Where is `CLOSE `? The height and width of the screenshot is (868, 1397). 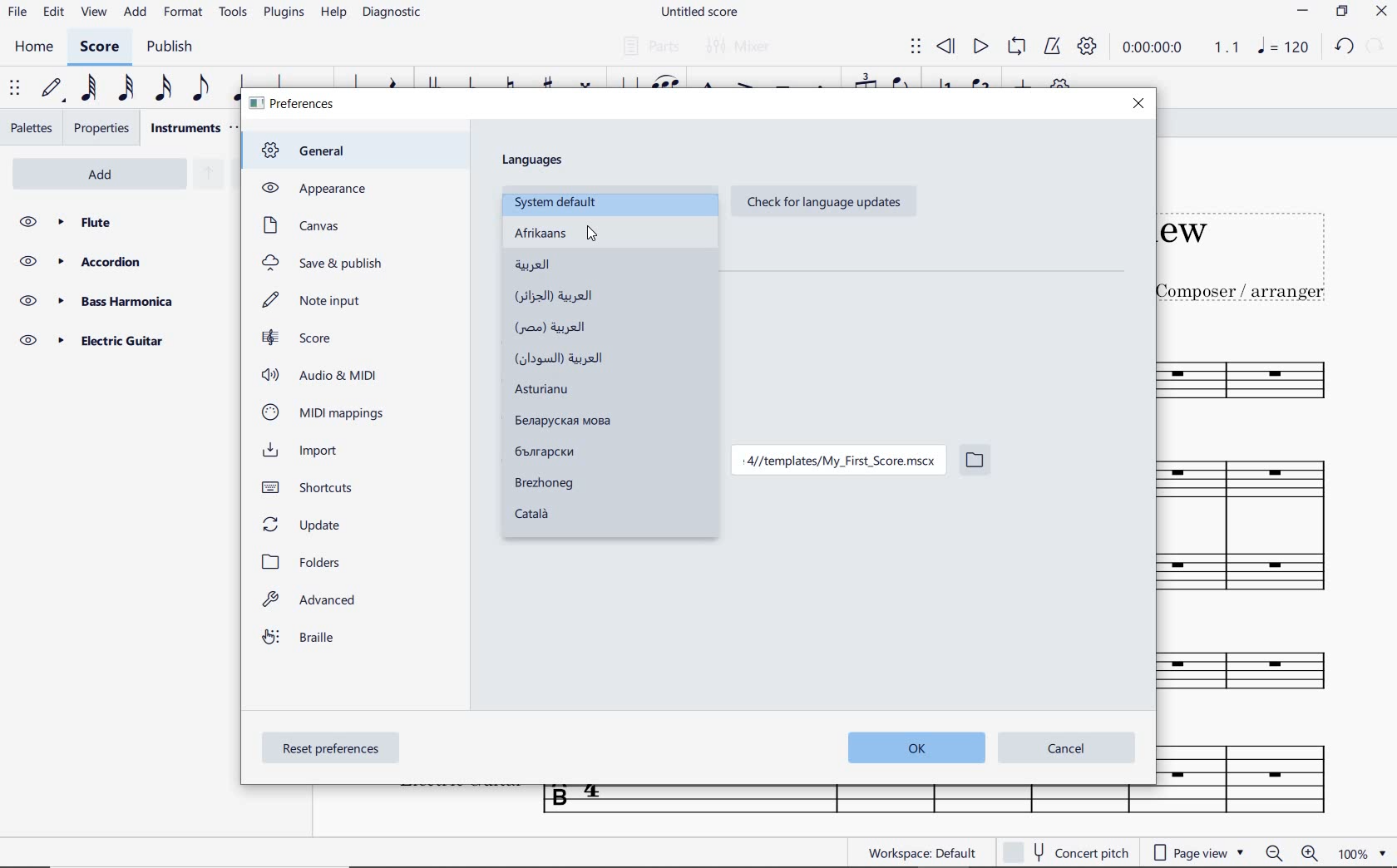
CLOSE  is located at coordinates (1383, 13).